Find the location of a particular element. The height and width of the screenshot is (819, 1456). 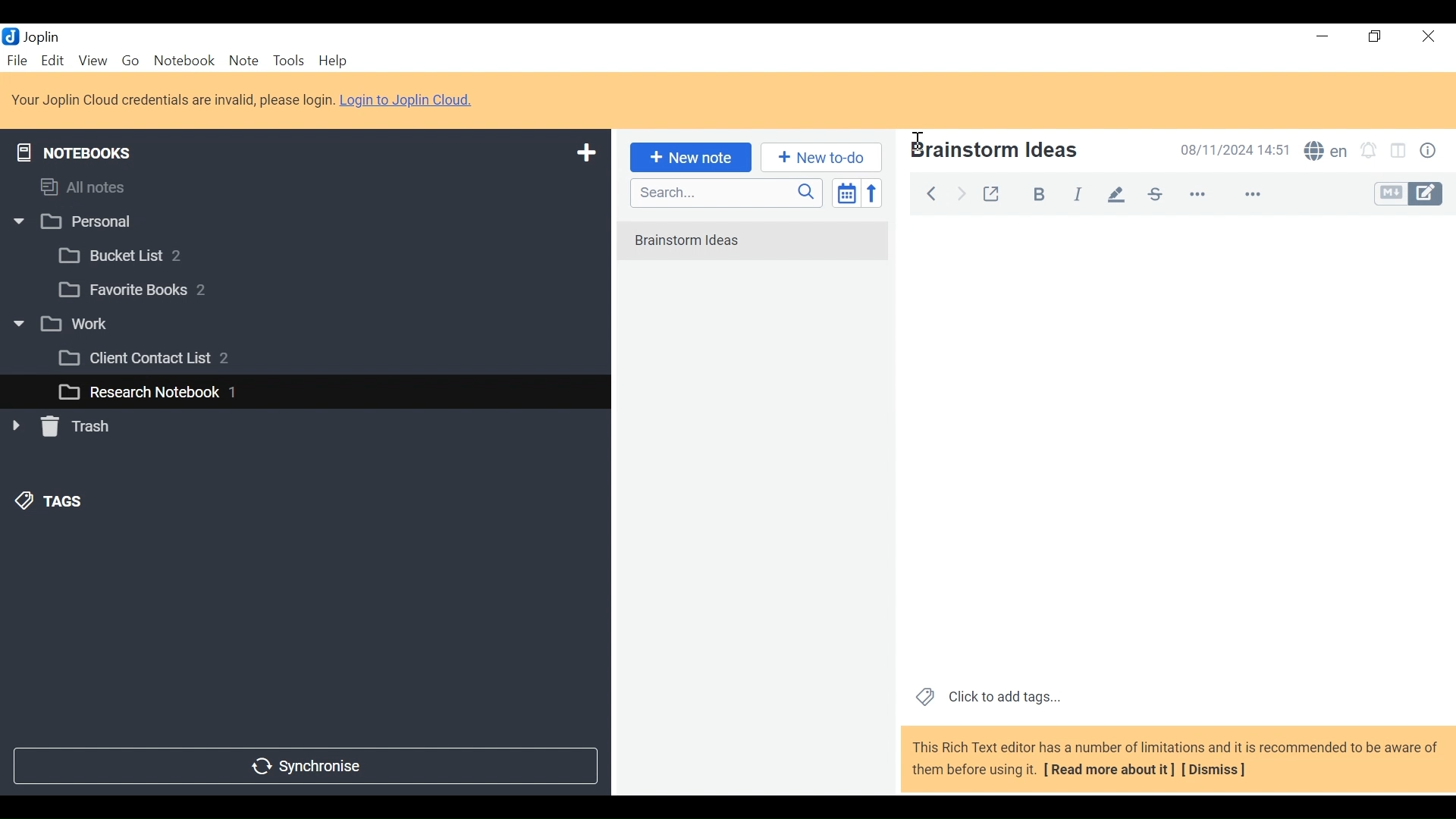

Date and Time is located at coordinates (1231, 149).